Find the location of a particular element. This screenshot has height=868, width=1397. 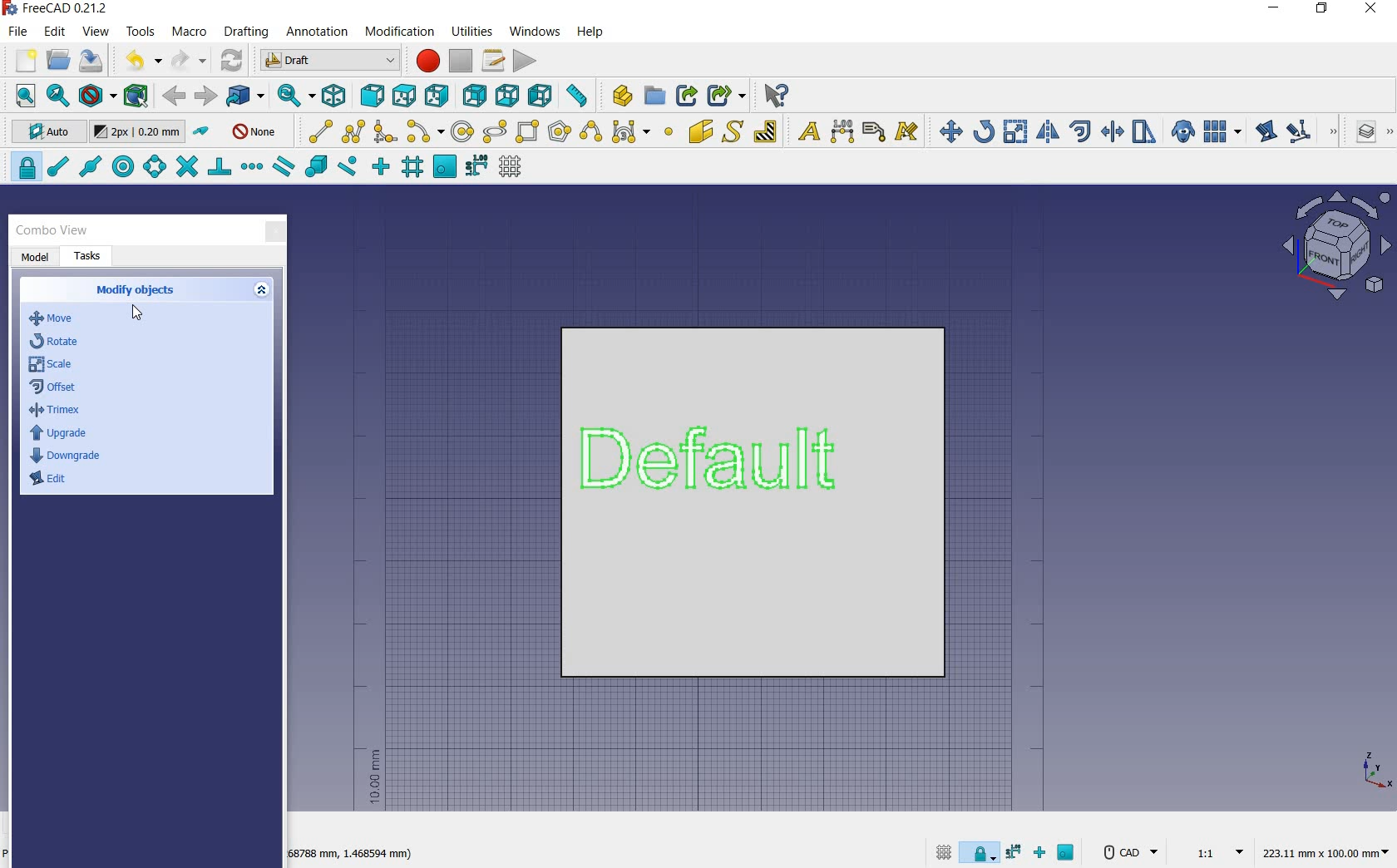

minimize is located at coordinates (1275, 10).